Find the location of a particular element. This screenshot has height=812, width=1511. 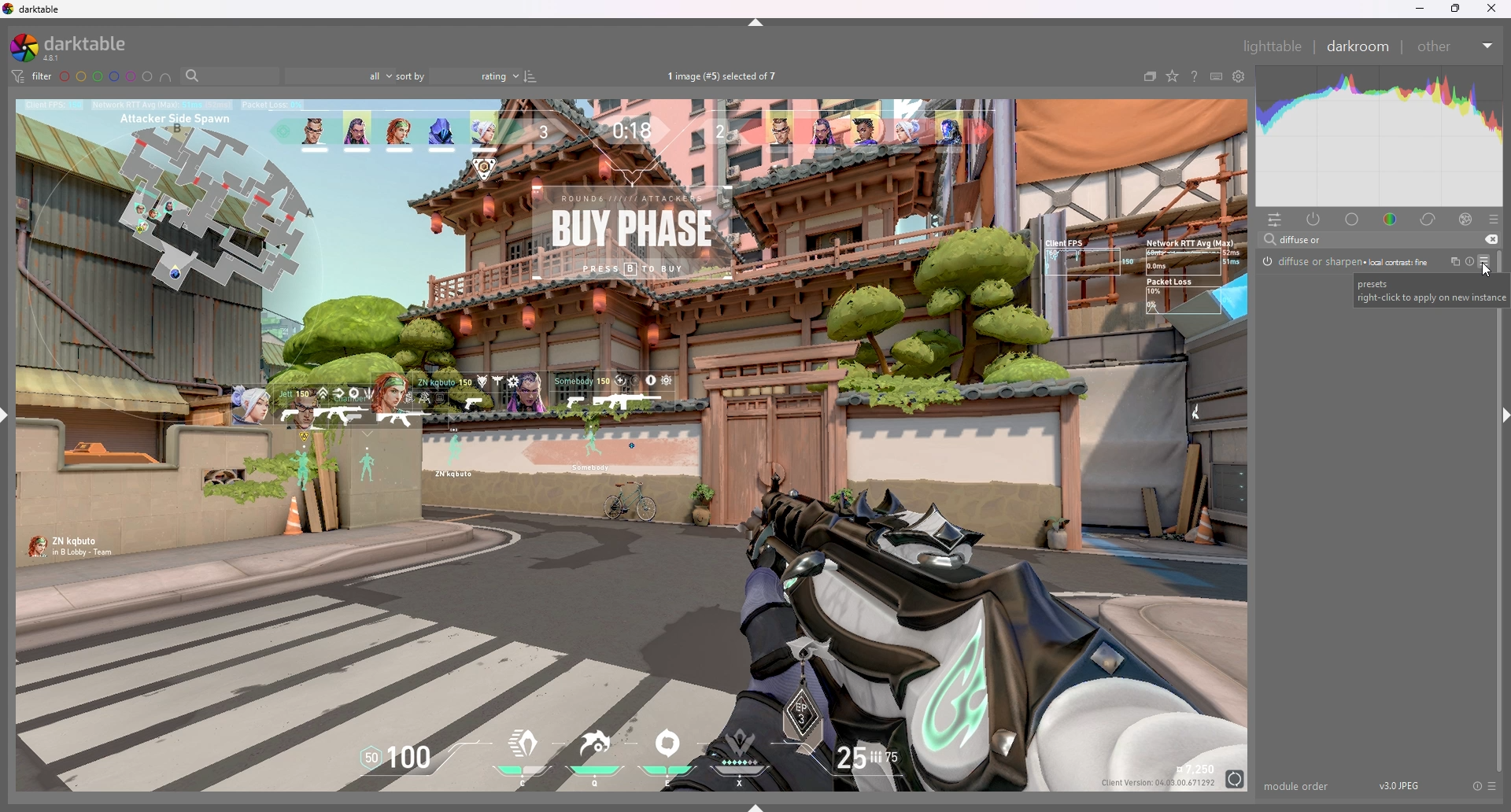

filter by rating is located at coordinates (338, 77).